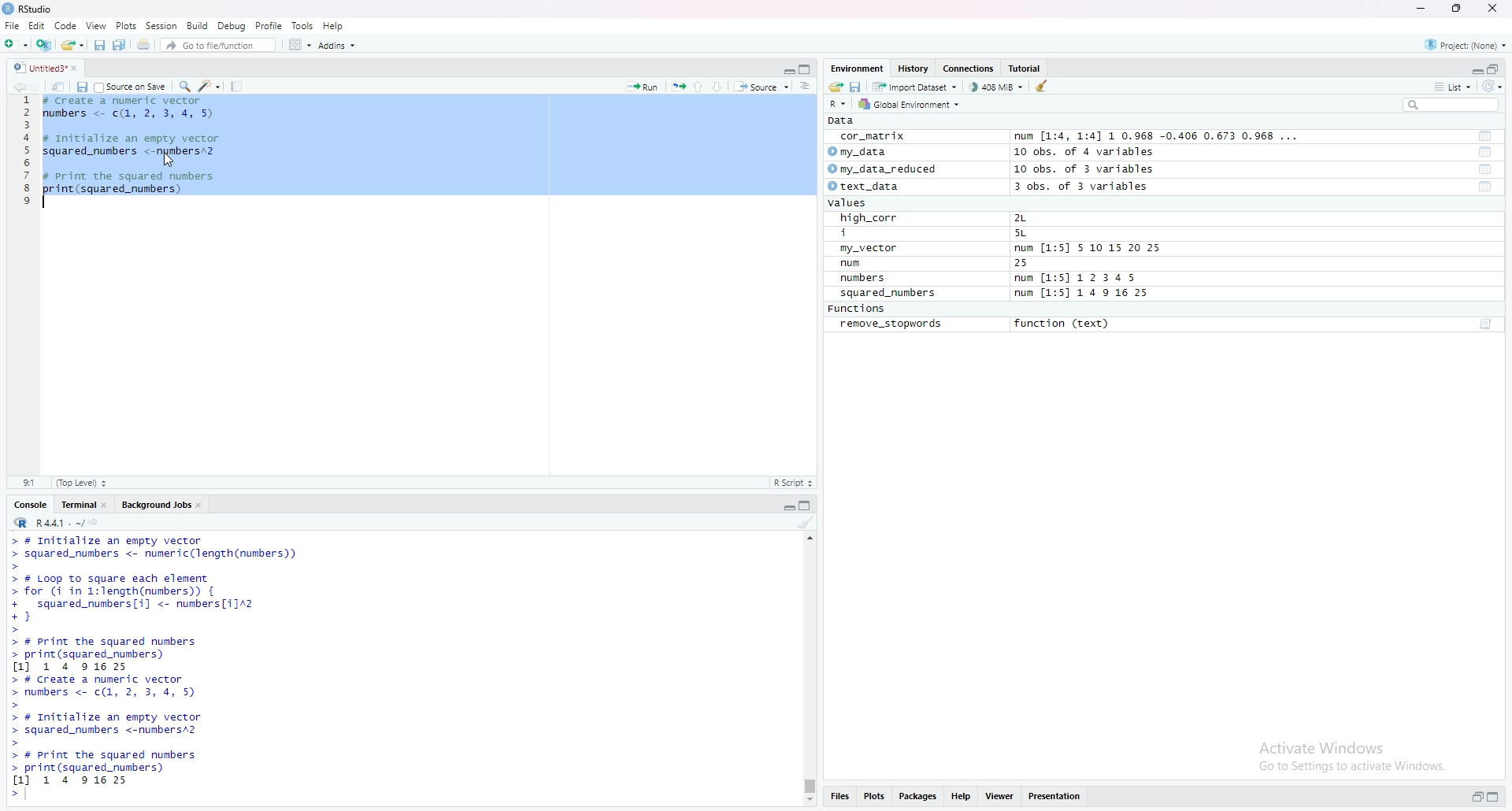 Image resolution: width=1512 pixels, height=811 pixels. I want to click on remove_stopwords, so click(891, 324).